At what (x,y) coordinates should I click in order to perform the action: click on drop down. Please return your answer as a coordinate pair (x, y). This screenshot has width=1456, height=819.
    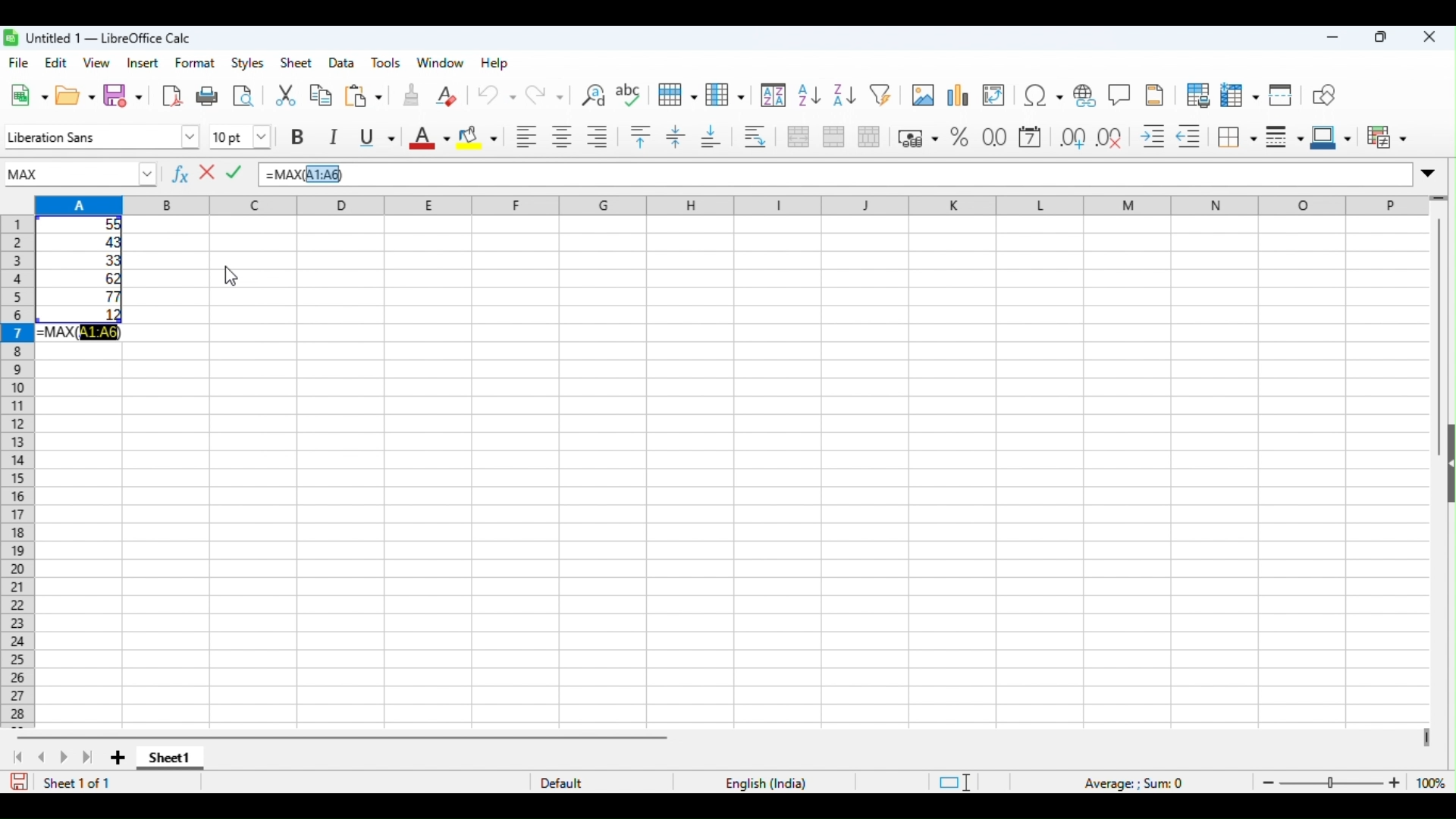
    Looking at the image, I should click on (192, 137).